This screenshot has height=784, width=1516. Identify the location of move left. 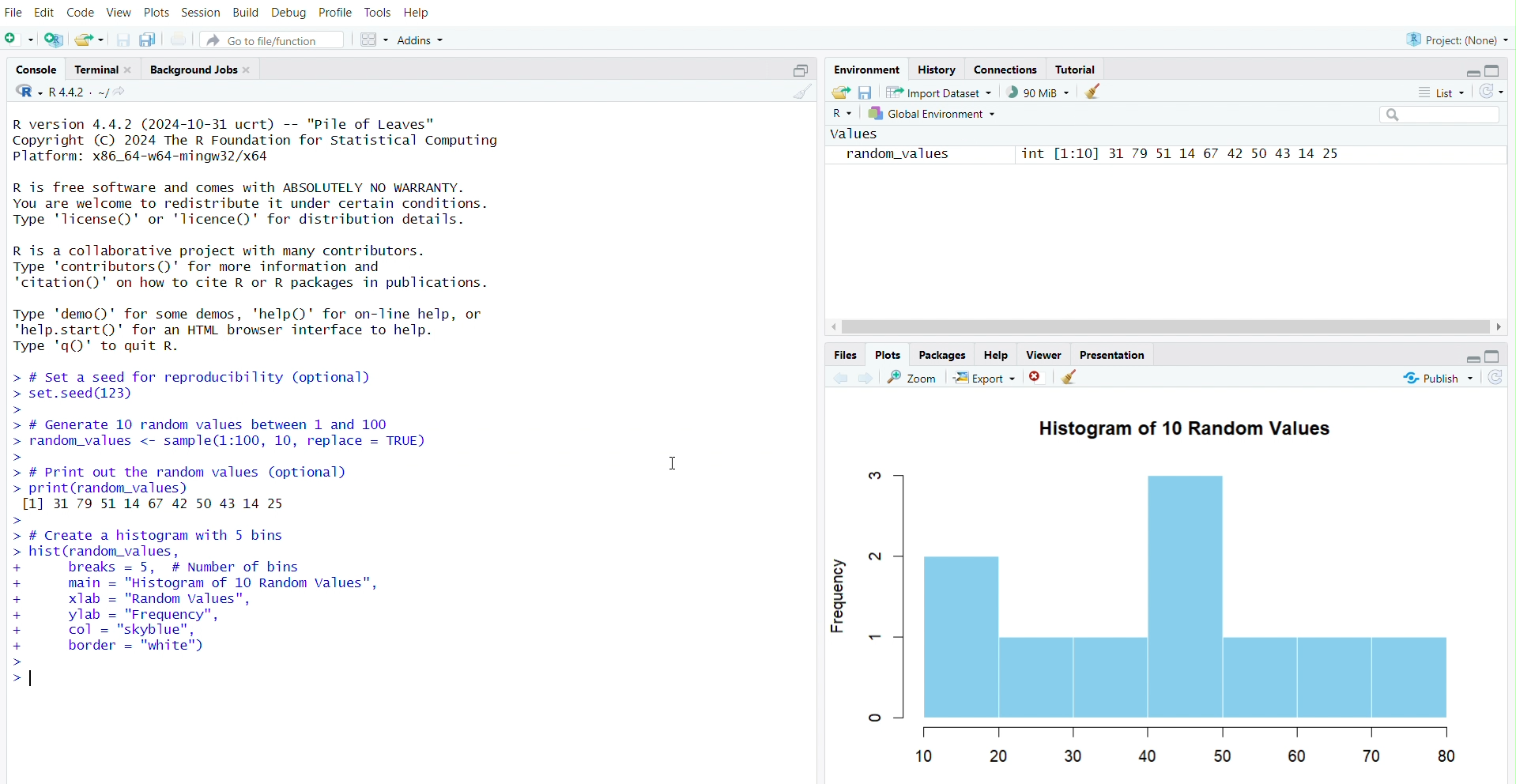
(836, 326).